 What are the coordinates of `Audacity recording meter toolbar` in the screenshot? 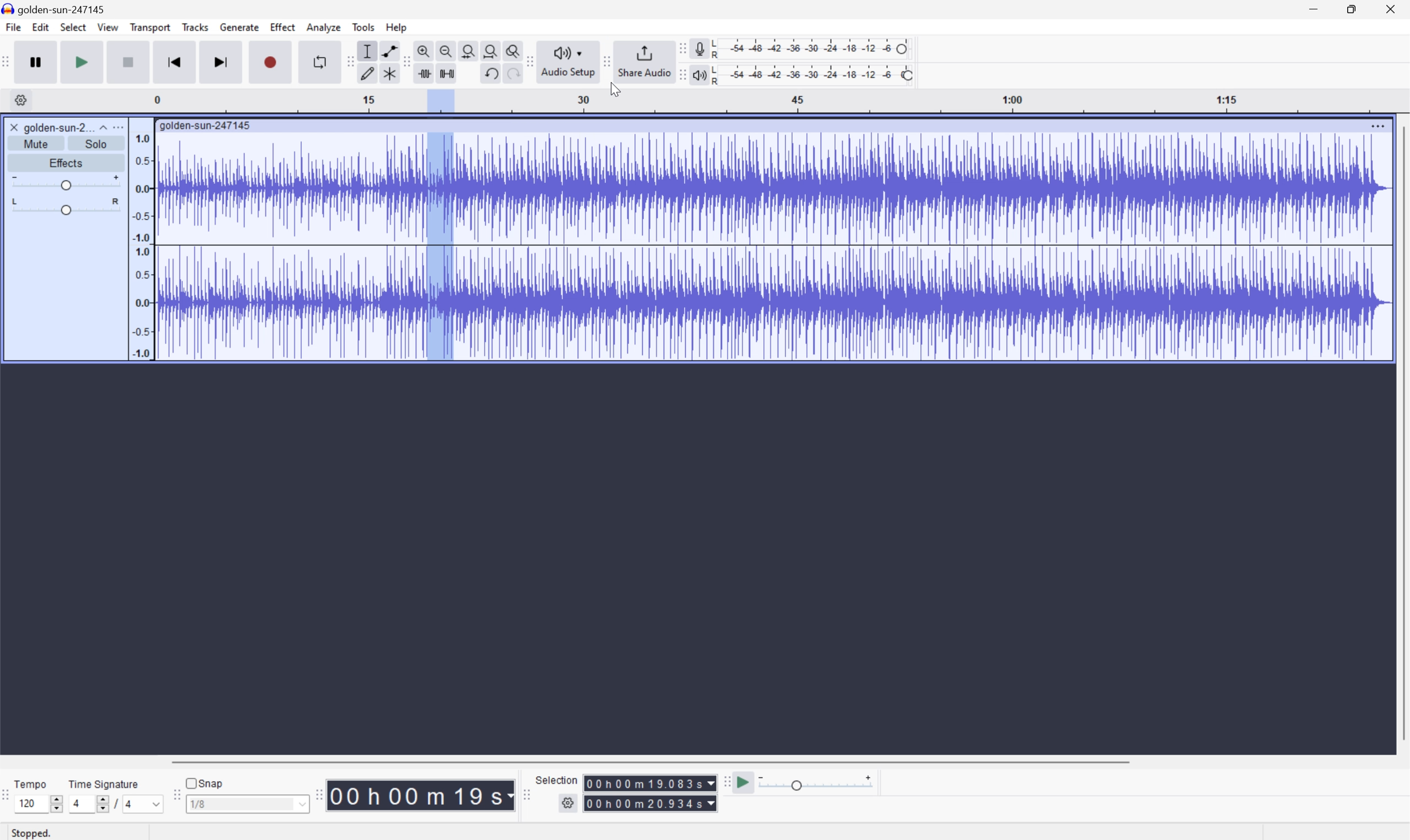 It's located at (681, 48).